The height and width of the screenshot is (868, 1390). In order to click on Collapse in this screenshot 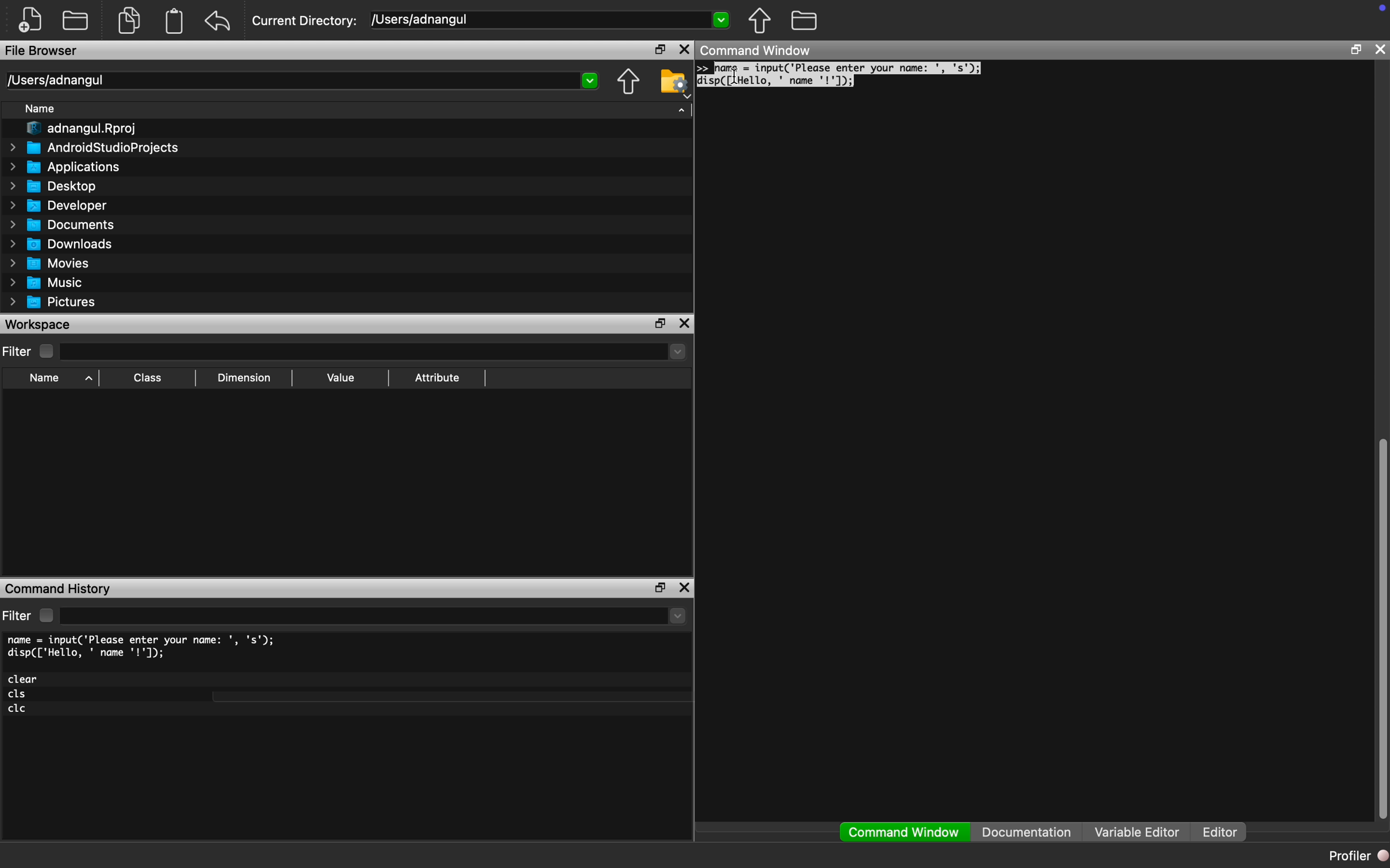, I will do `click(682, 110)`.